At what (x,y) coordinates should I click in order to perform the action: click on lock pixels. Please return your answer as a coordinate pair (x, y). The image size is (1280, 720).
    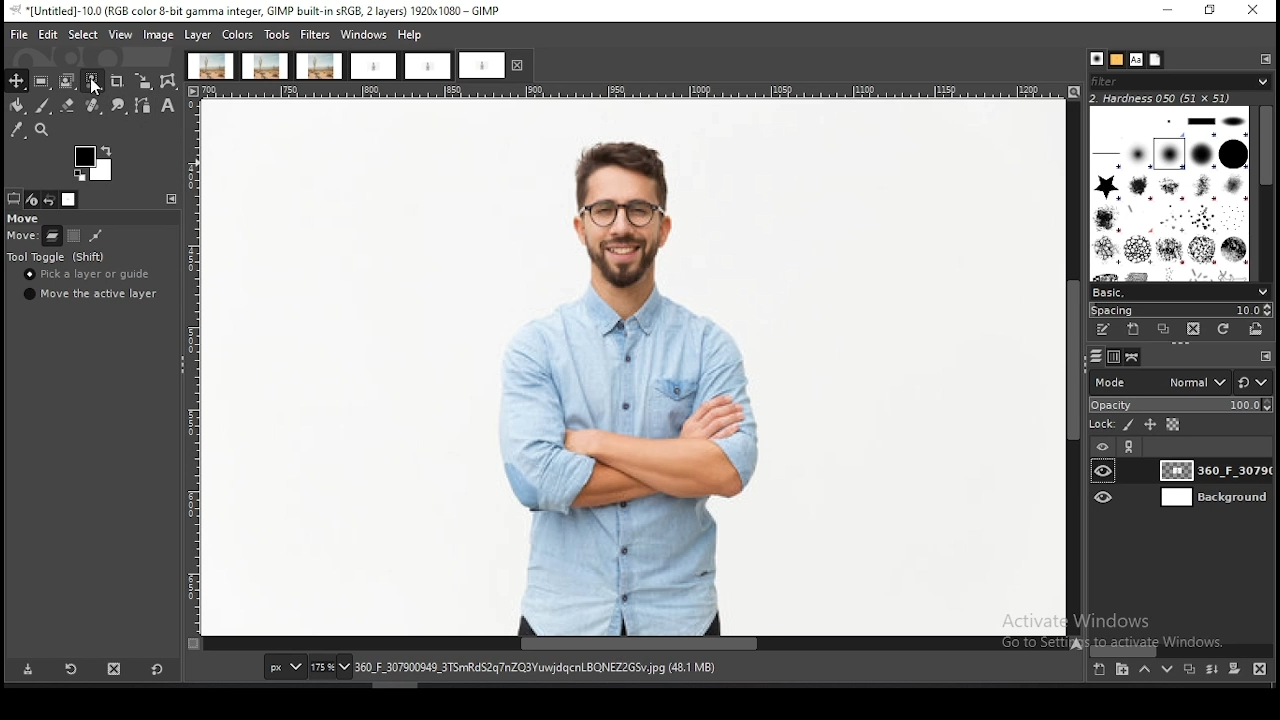
    Looking at the image, I should click on (1129, 426).